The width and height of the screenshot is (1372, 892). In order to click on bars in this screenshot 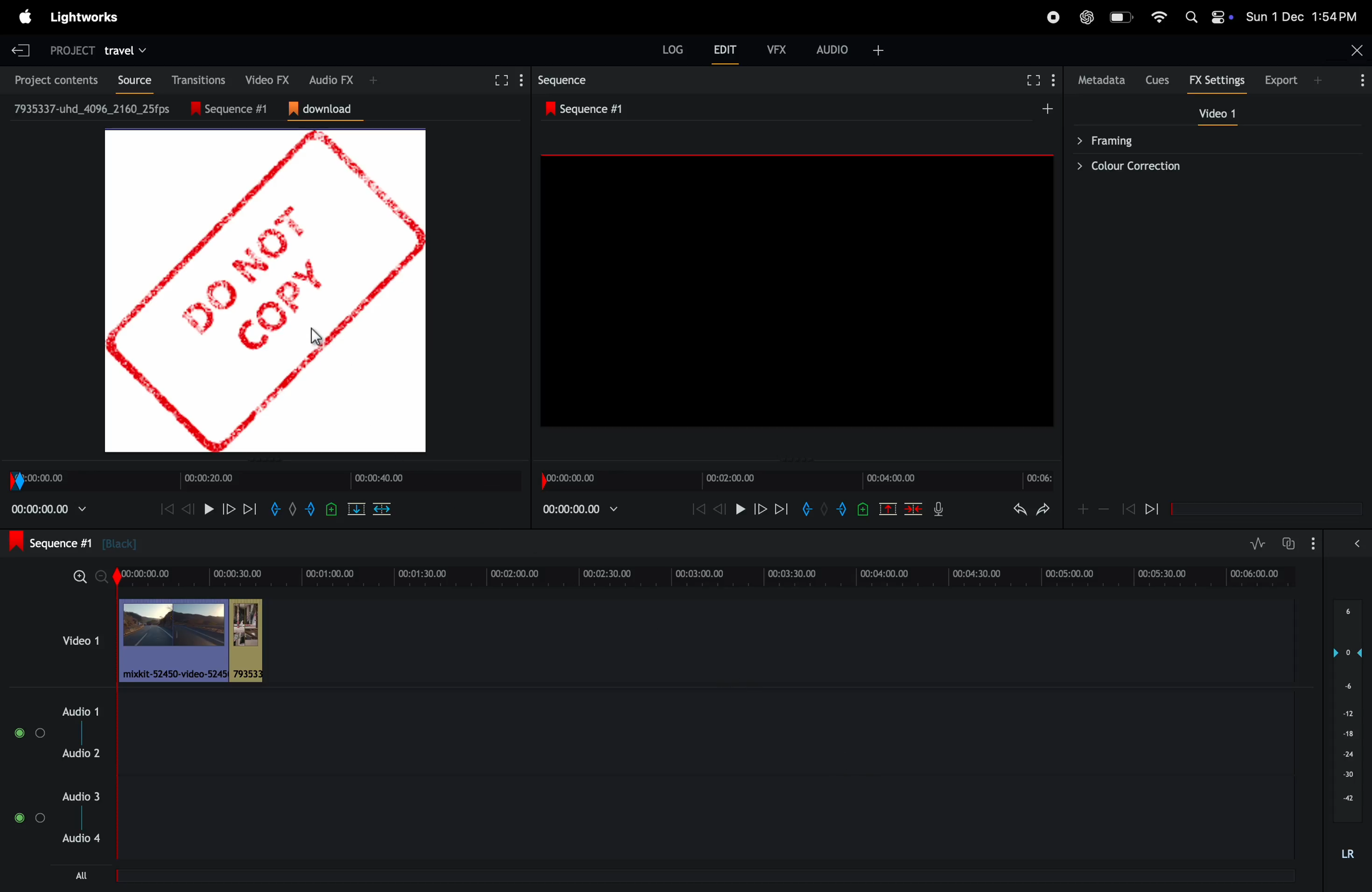, I will do `click(31, 733)`.